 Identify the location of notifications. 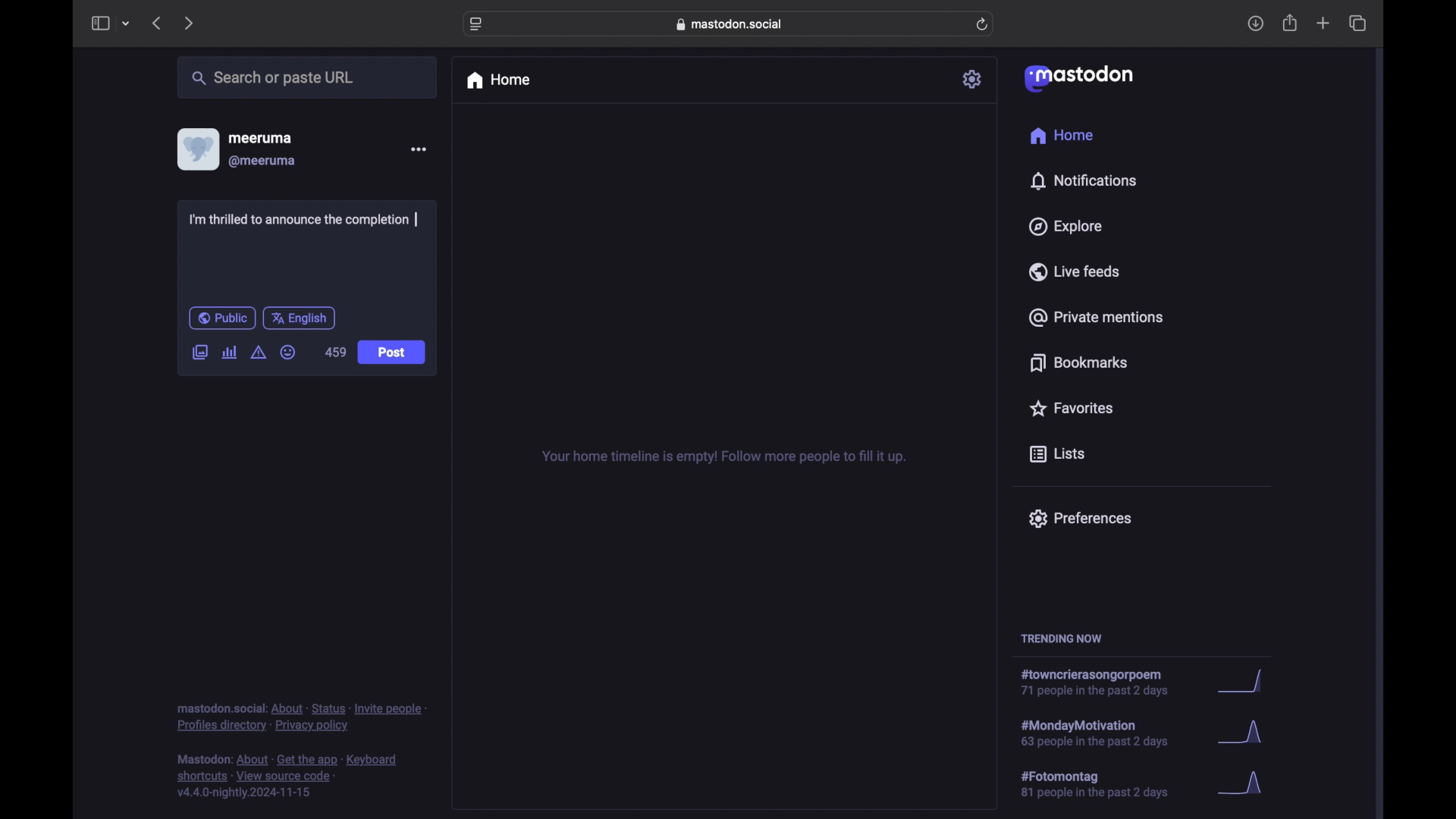
(1083, 181).